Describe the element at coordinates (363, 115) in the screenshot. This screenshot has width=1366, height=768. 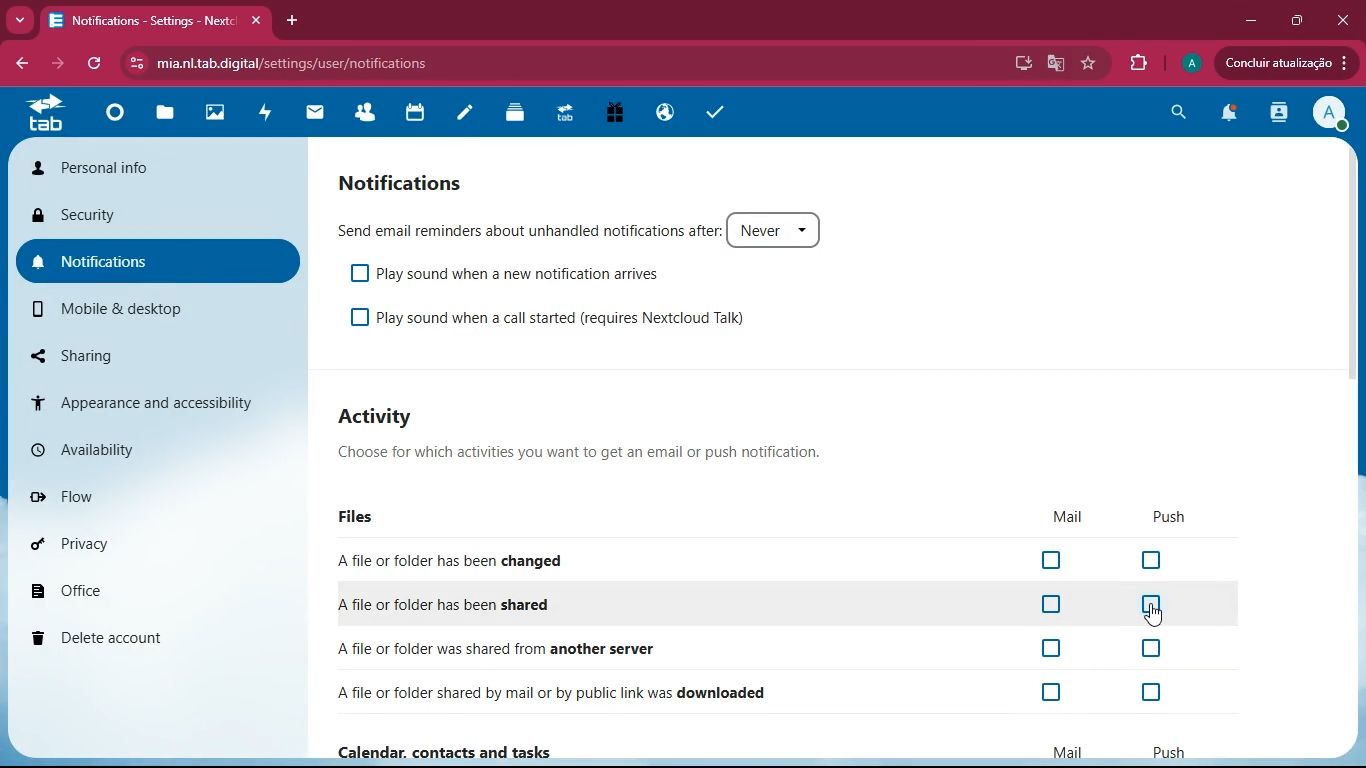
I see `friends` at that location.